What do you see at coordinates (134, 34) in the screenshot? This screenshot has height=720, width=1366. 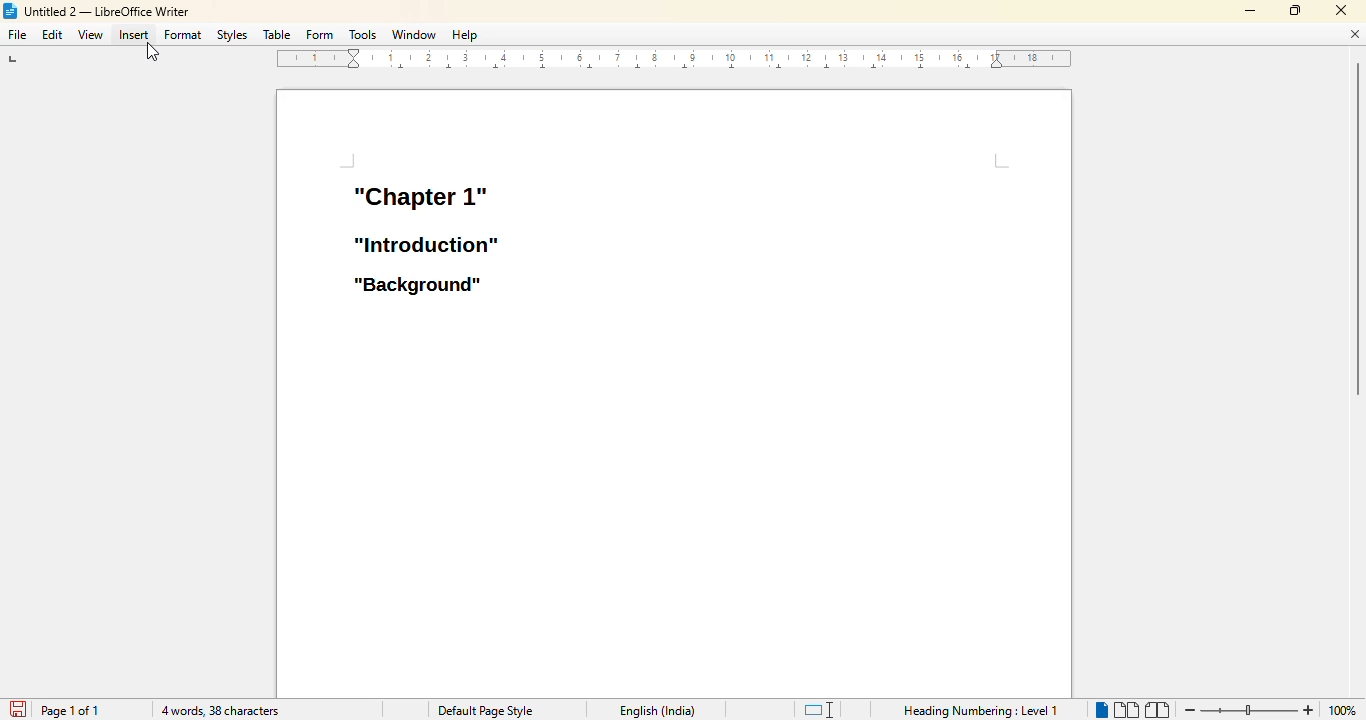 I see `insert` at bounding box center [134, 34].